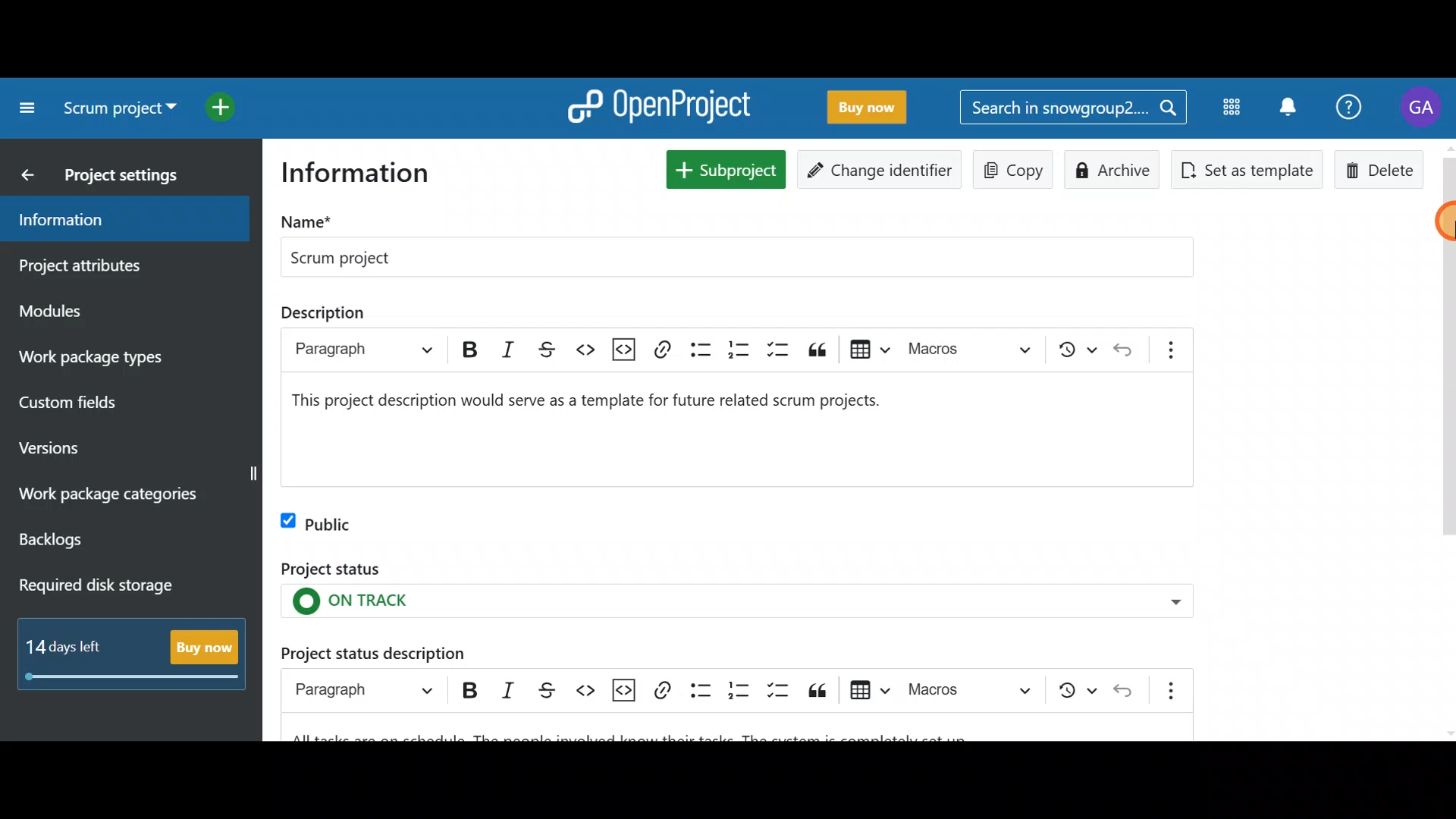 Image resolution: width=1456 pixels, height=819 pixels. What do you see at coordinates (328, 523) in the screenshot?
I see `Public` at bounding box center [328, 523].